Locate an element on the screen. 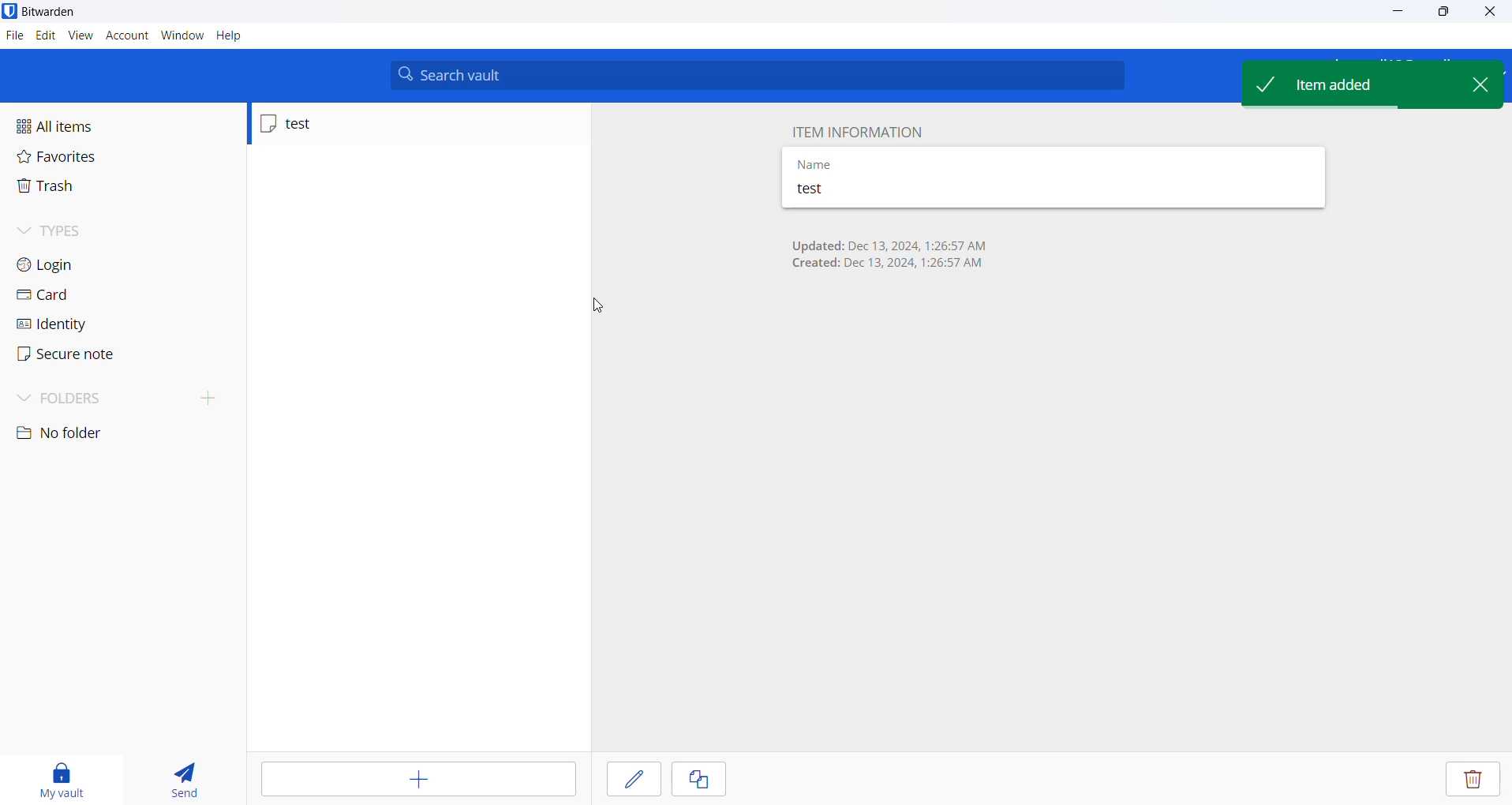 This screenshot has width=1512, height=805. maximize is located at coordinates (1444, 12).